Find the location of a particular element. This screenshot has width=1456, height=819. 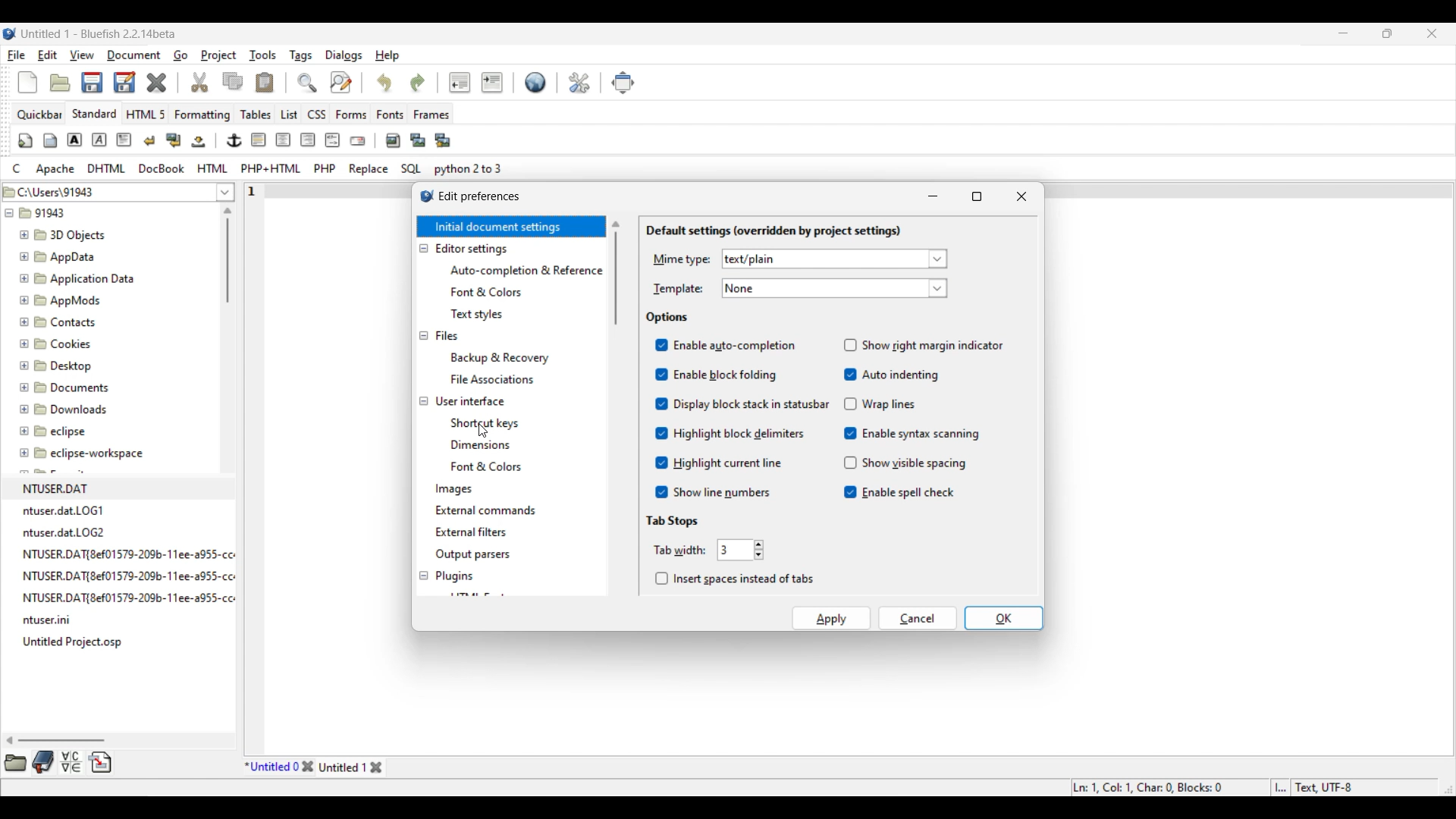

display block stack in statusbar is located at coordinates (740, 403).